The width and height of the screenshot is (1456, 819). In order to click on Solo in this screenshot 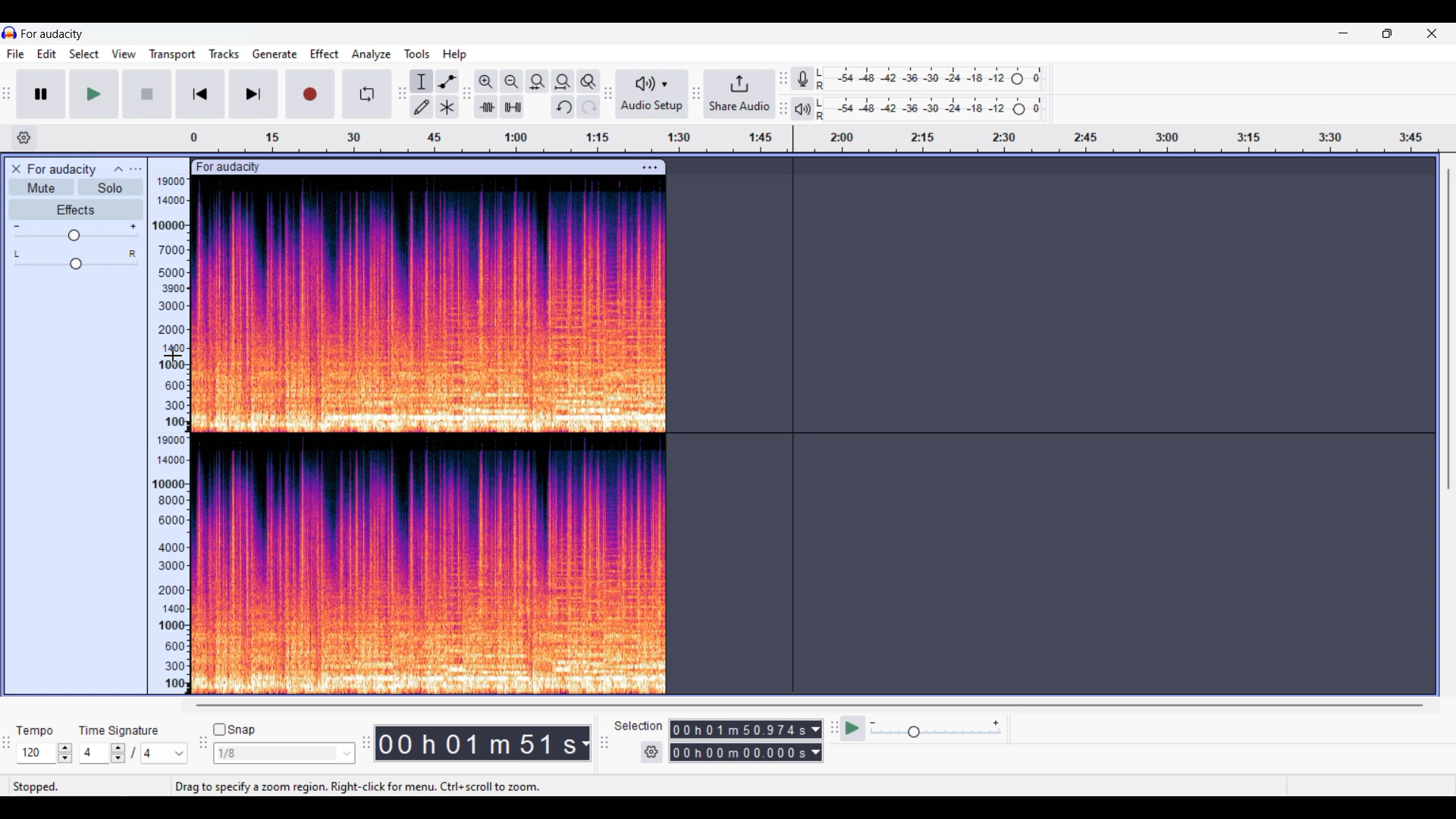, I will do `click(111, 187)`.